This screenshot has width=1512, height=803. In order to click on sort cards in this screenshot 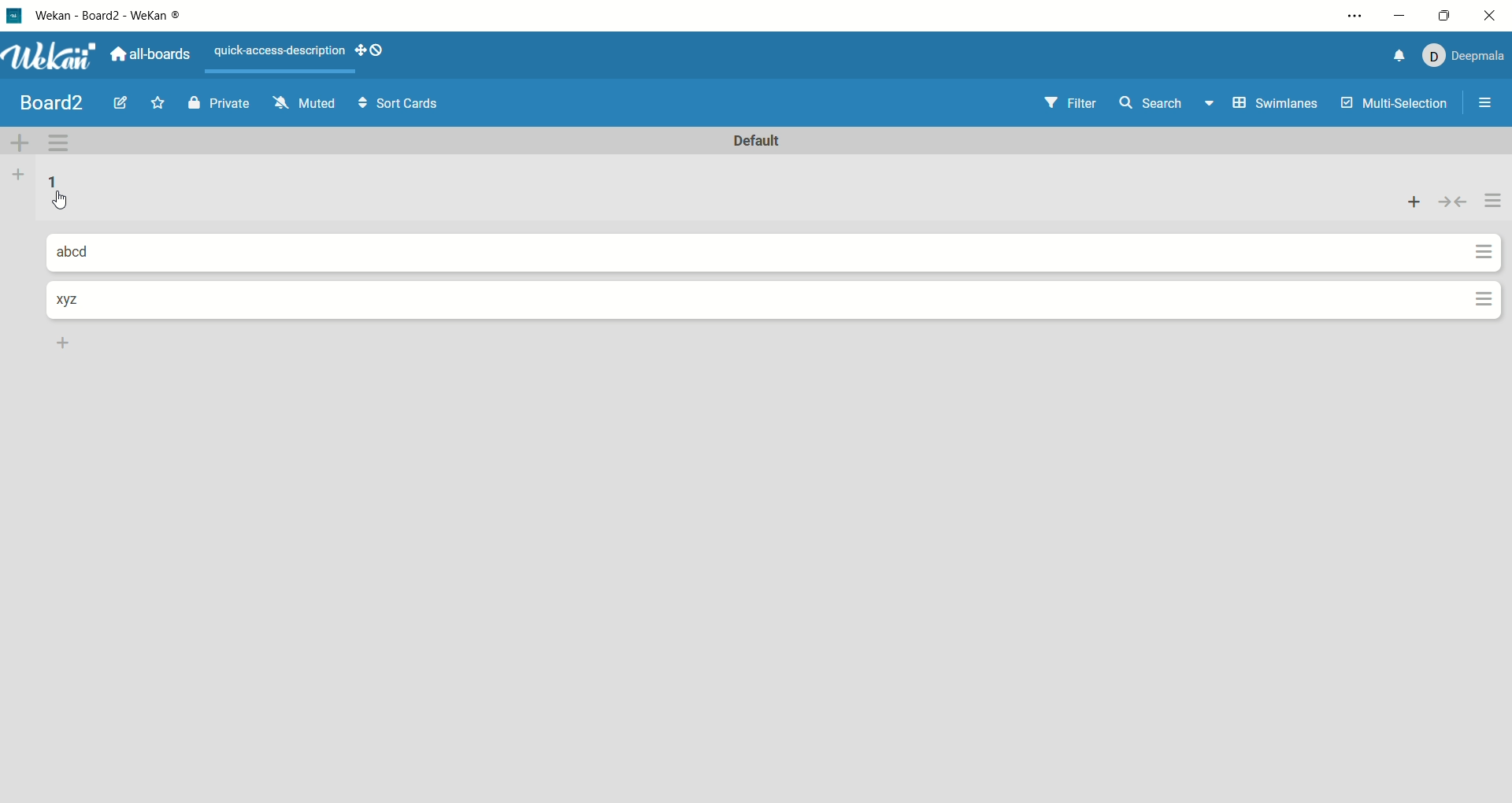, I will do `click(395, 104)`.